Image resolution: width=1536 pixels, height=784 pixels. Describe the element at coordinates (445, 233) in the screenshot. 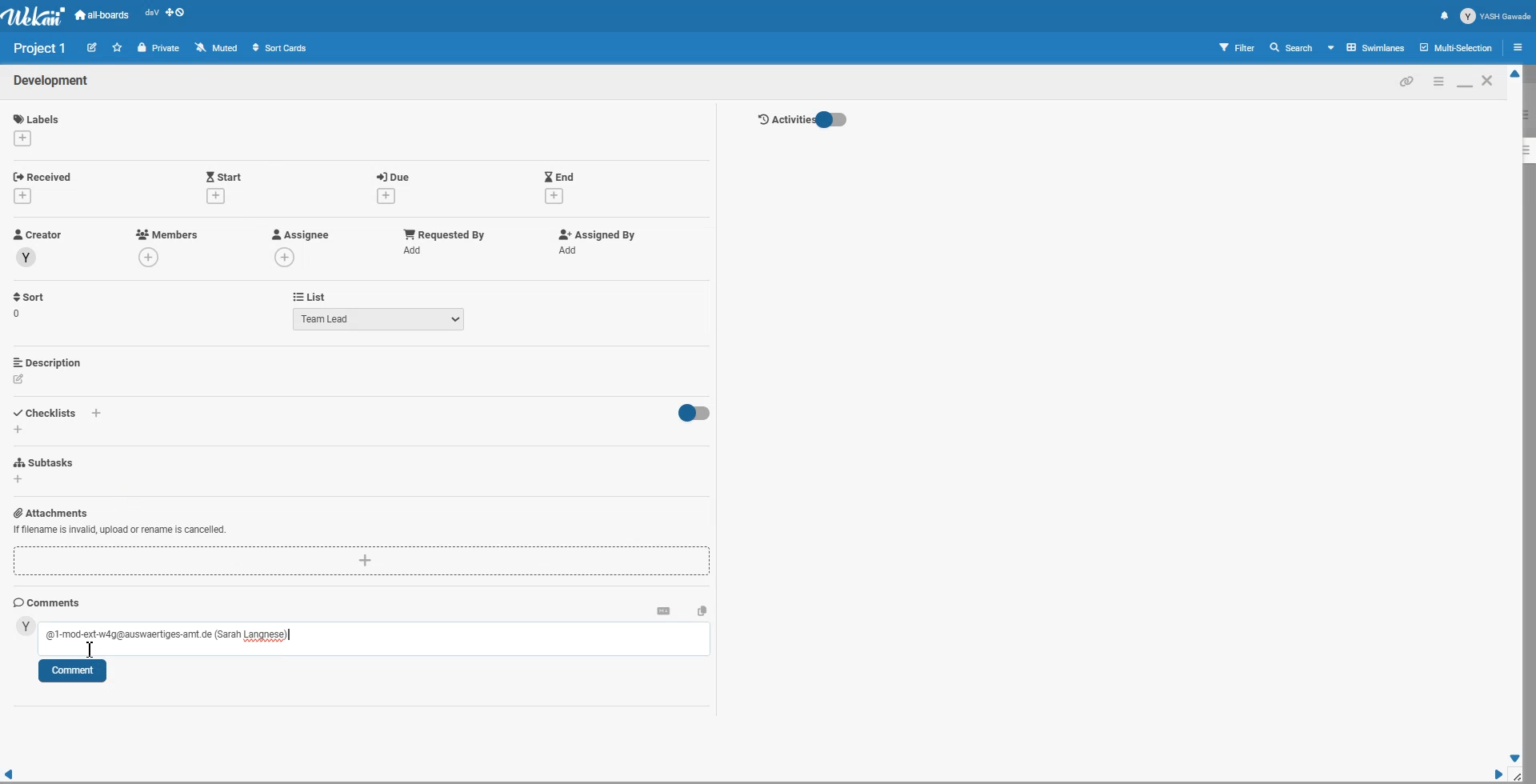

I see `Add Requested by` at that location.